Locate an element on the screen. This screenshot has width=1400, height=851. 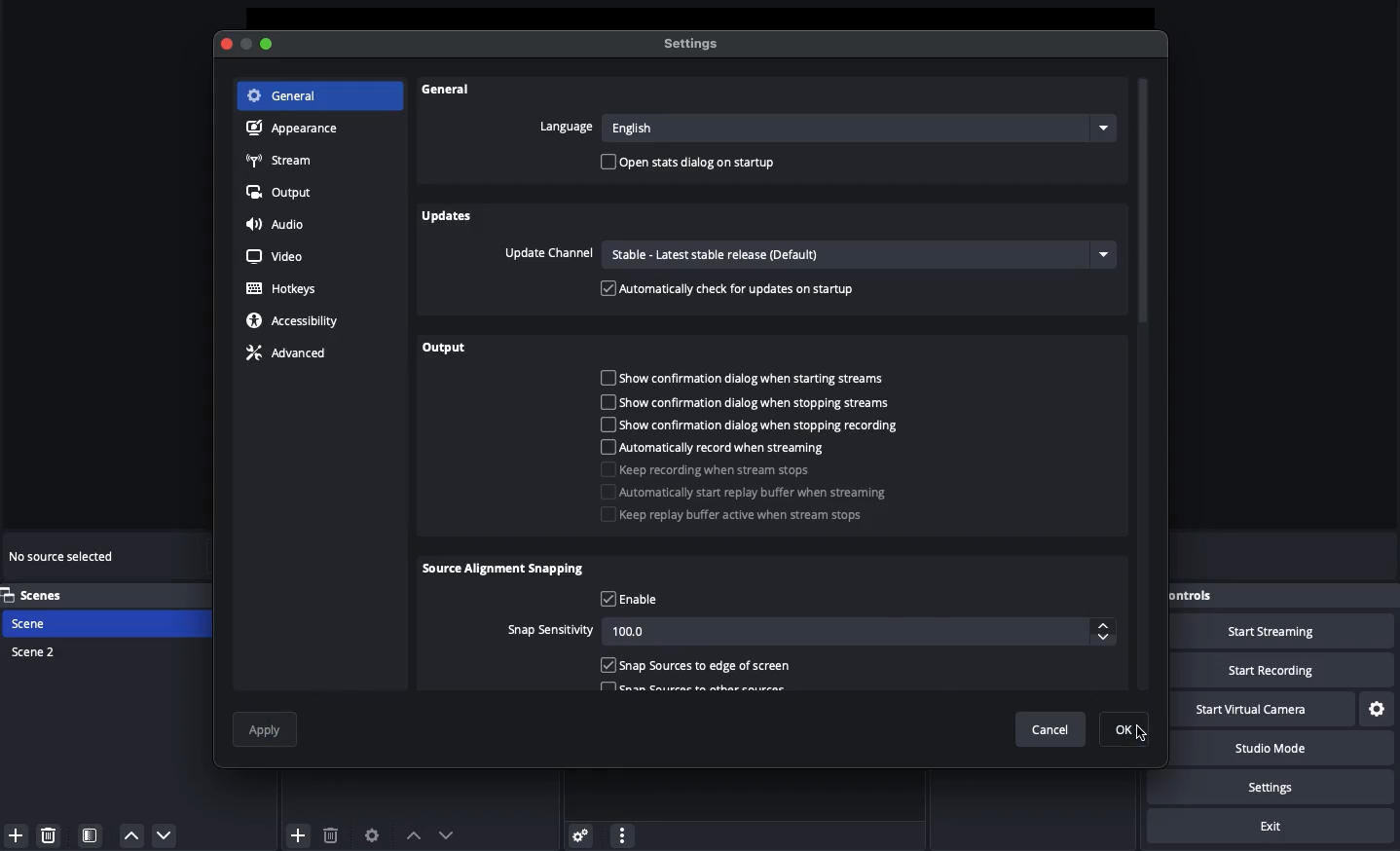
Down is located at coordinates (448, 832).